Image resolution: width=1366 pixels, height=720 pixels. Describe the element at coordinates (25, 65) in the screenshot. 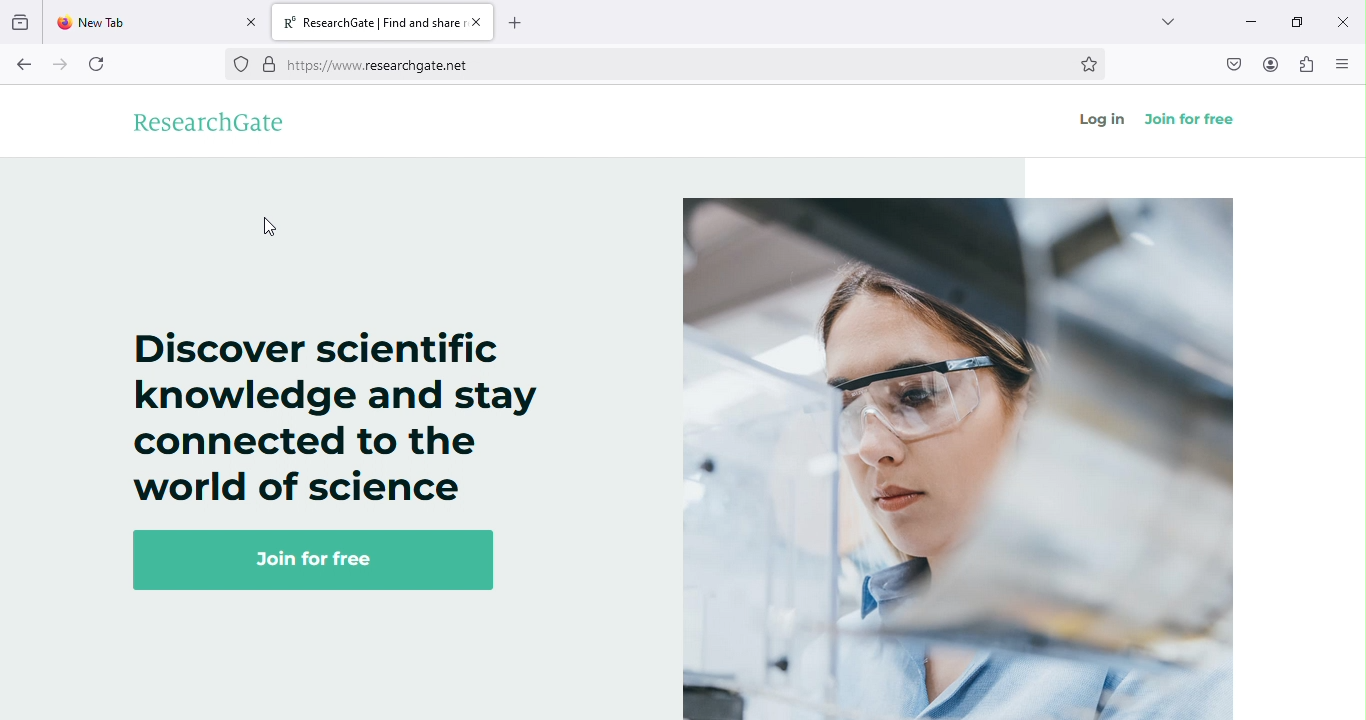

I see `back` at that location.